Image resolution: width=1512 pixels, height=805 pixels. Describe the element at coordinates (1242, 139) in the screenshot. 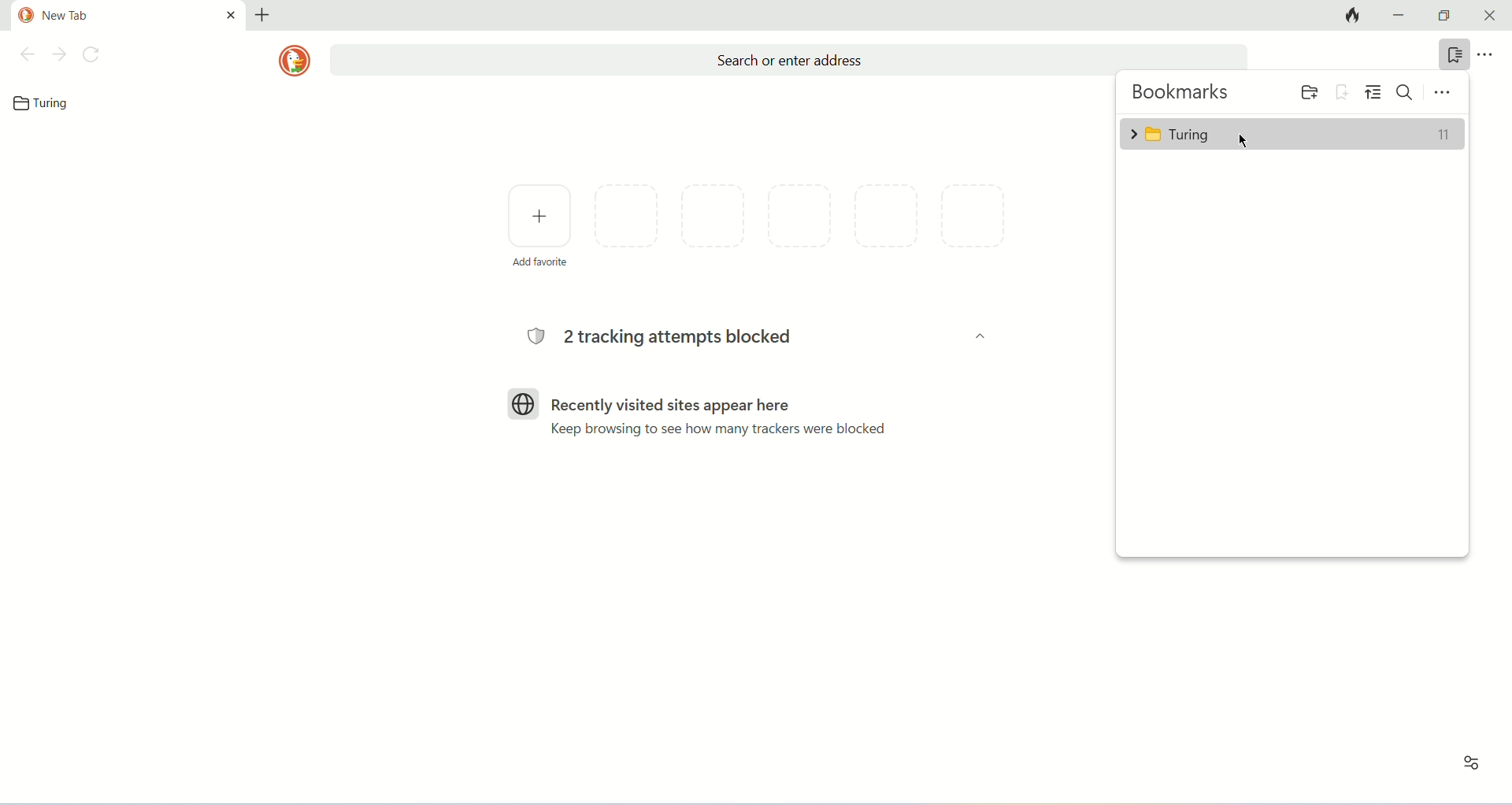

I see `cursor` at that location.